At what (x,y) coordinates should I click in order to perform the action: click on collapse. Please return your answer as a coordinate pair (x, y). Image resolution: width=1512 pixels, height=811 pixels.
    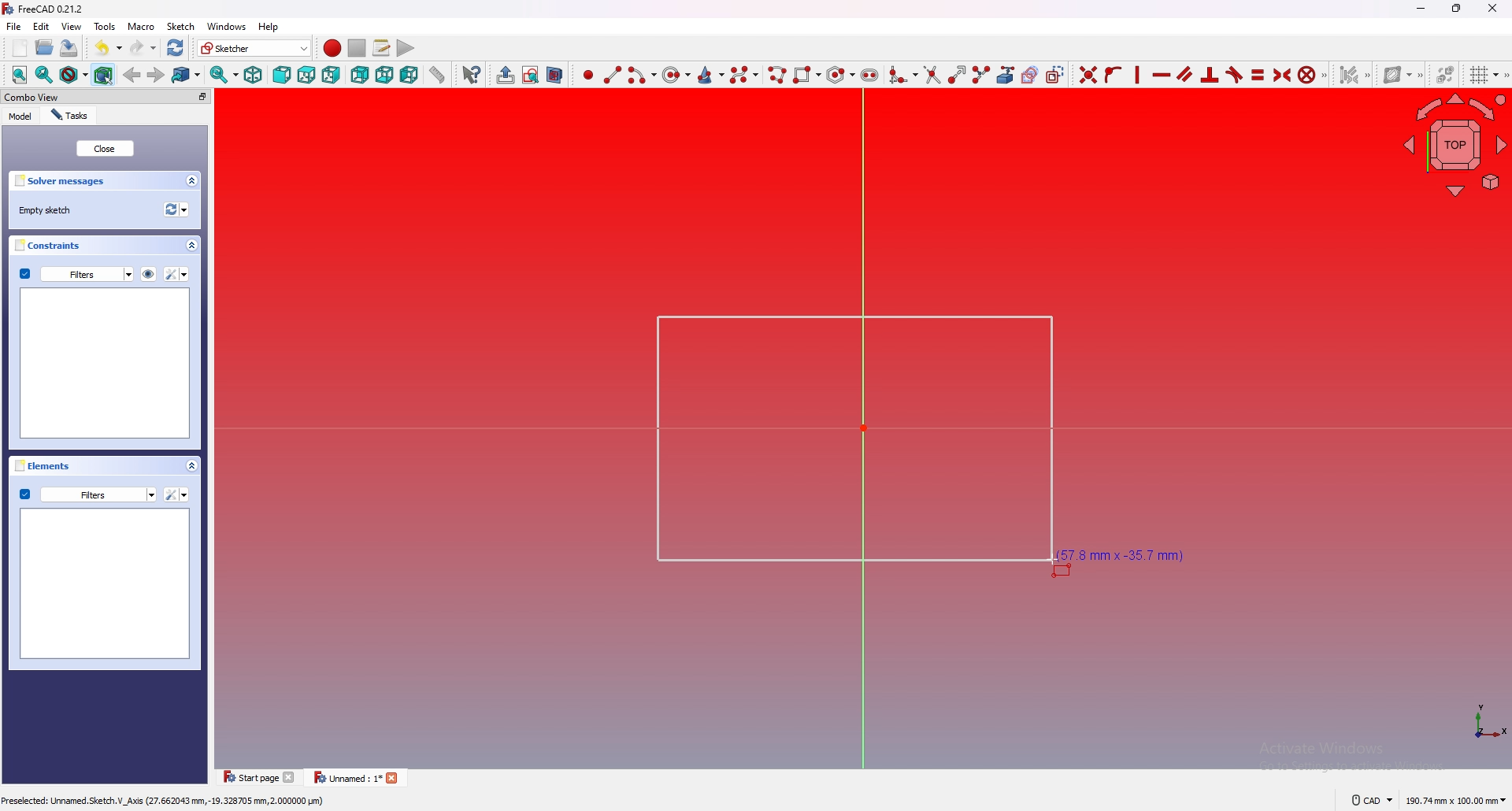
    Looking at the image, I should click on (191, 465).